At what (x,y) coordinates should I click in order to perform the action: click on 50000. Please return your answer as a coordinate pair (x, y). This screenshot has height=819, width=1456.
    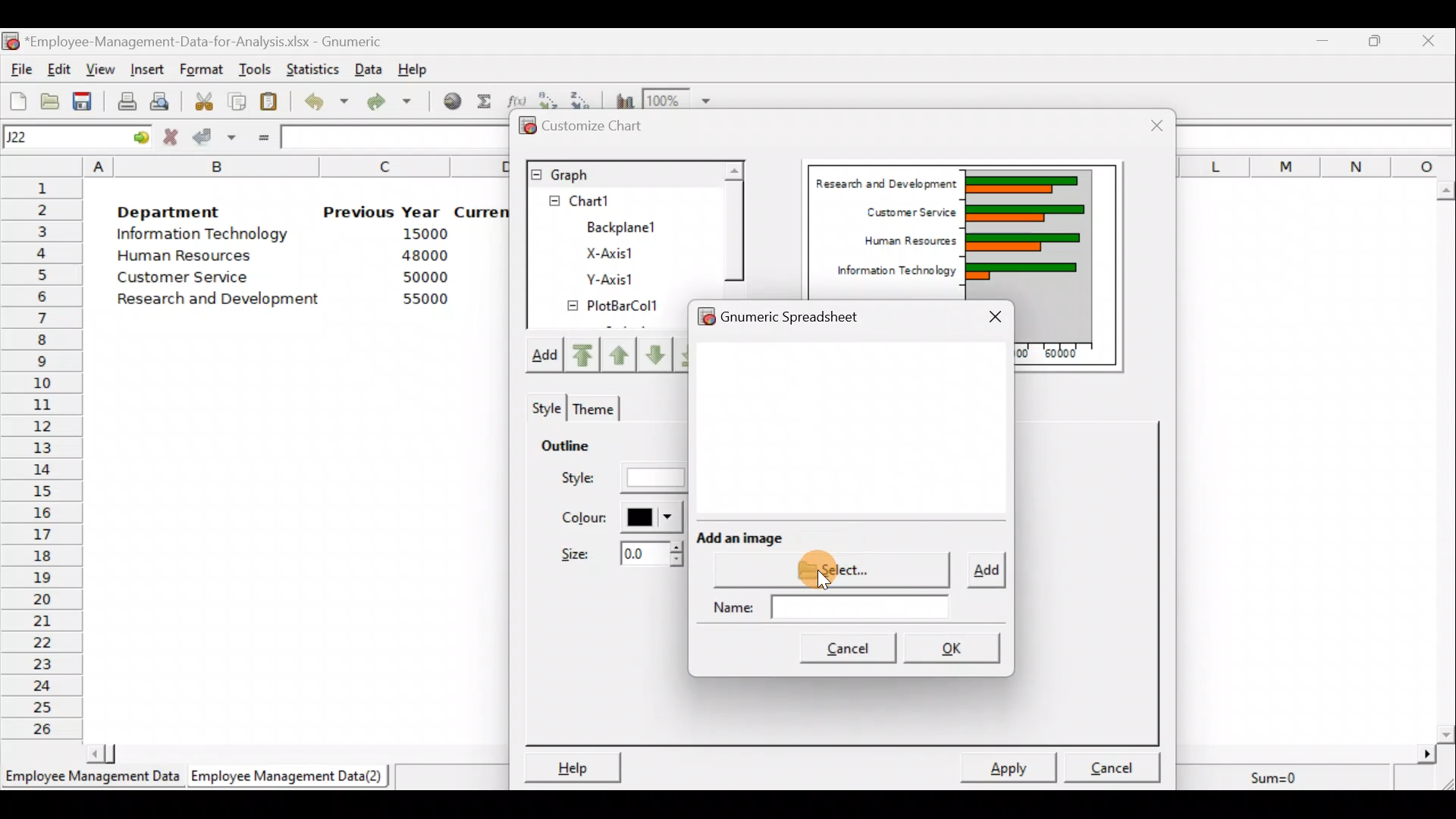
    Looking at the image, I should click on (422, 277).